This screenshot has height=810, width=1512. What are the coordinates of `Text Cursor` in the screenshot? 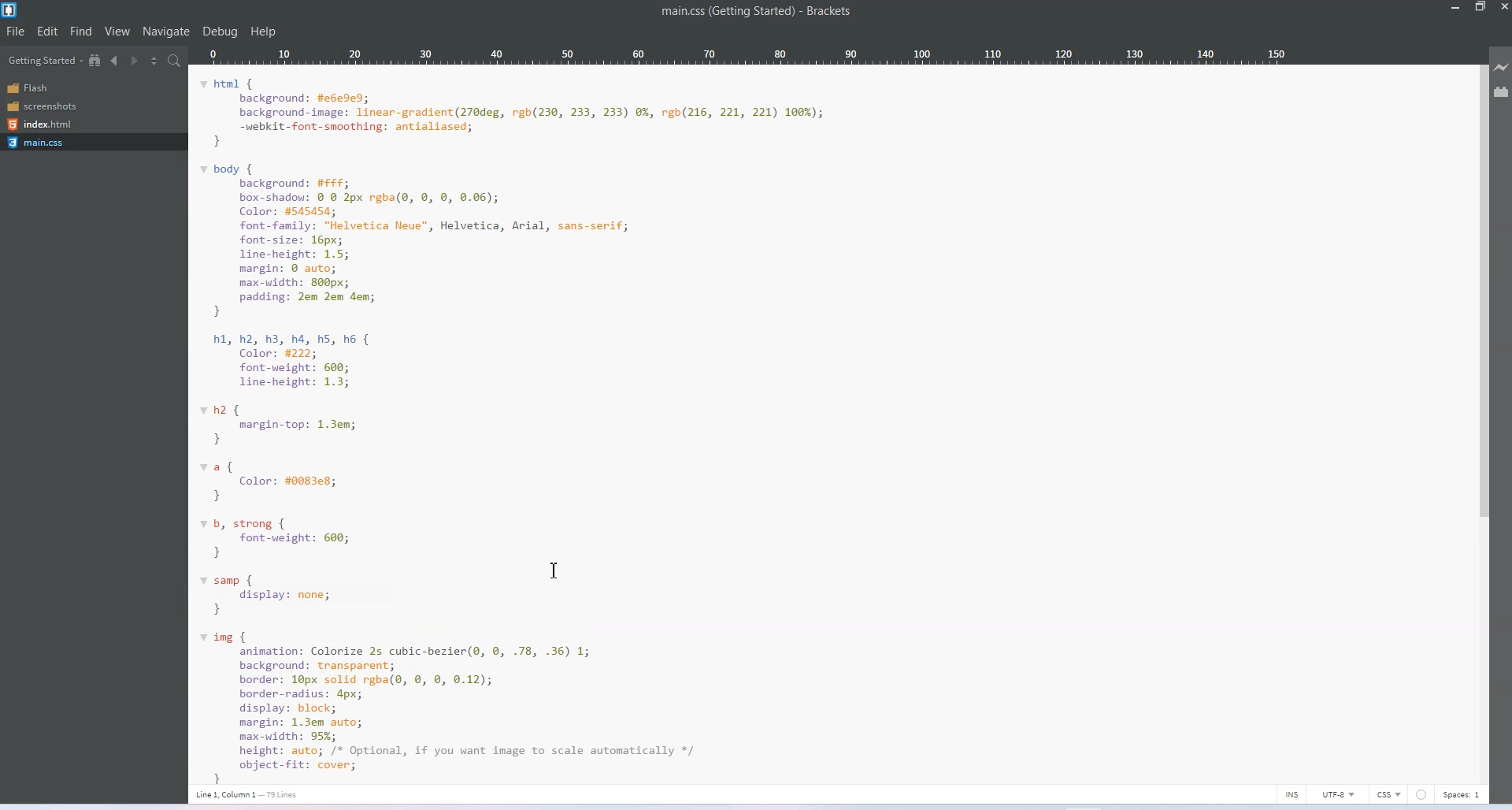 It's located at (554, 568).